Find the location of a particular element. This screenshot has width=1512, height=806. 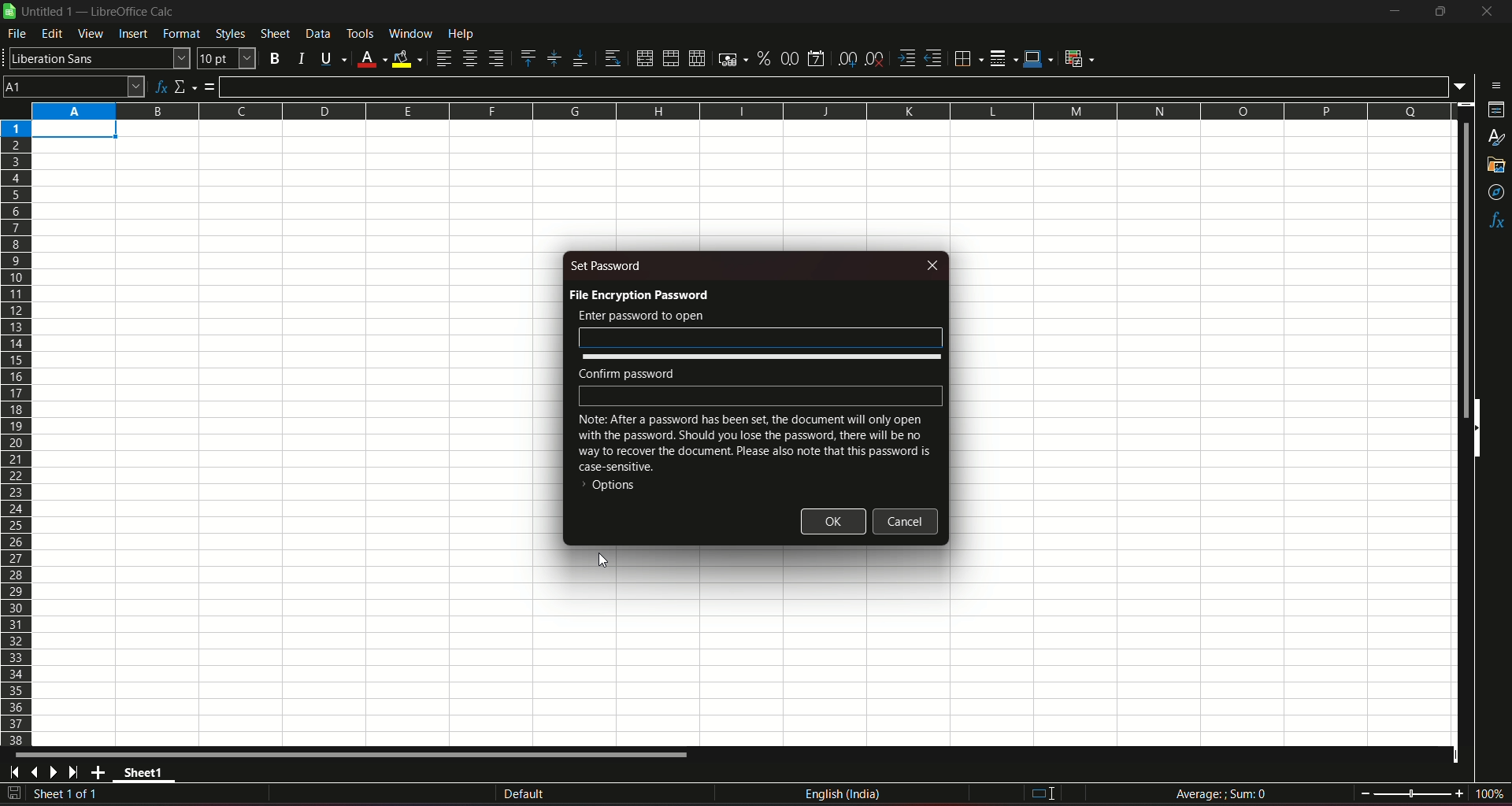

previous sheet is located at coordinates (36, 774).